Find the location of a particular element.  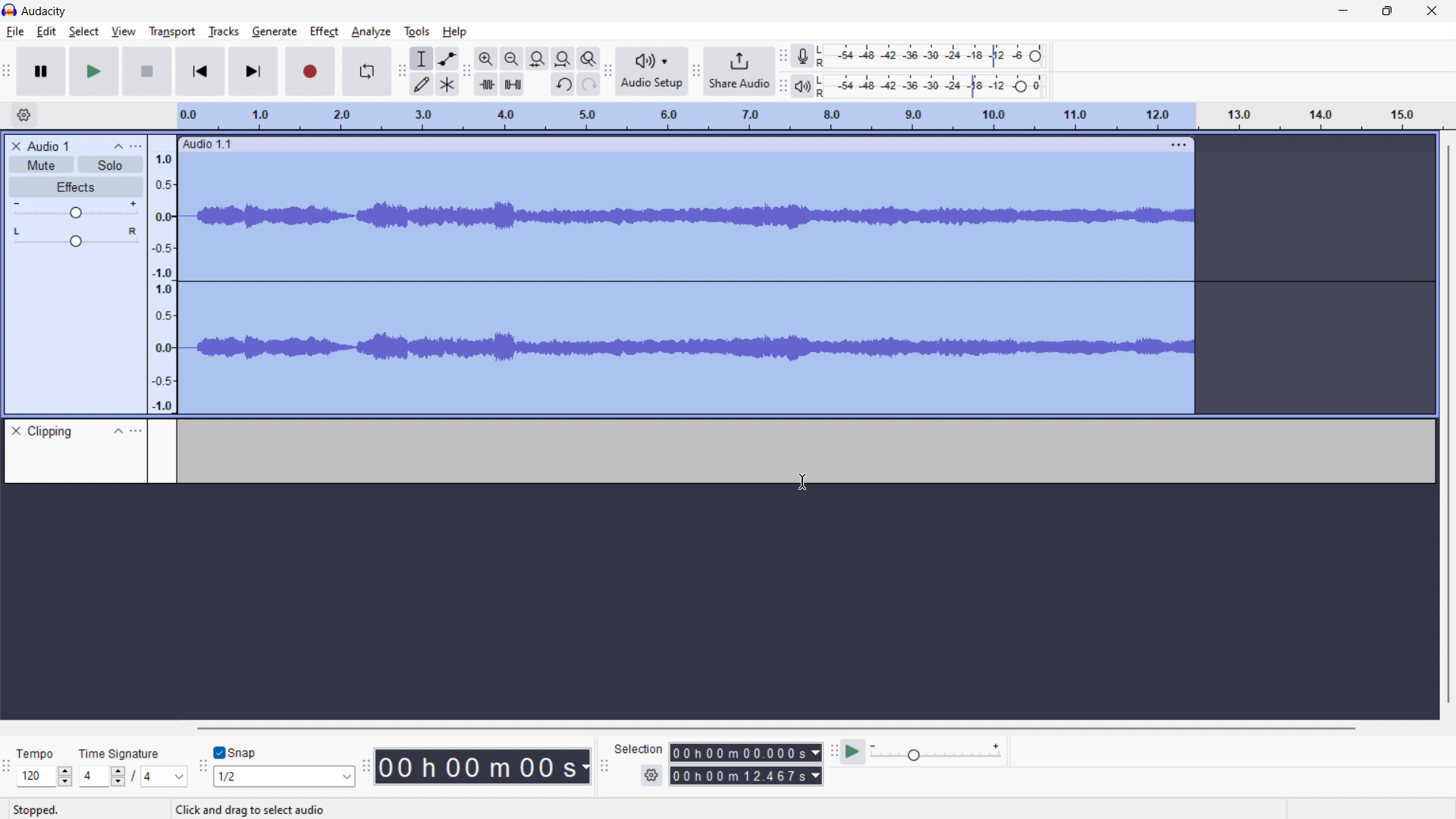

maximize is located at coordinates (1387, 11).